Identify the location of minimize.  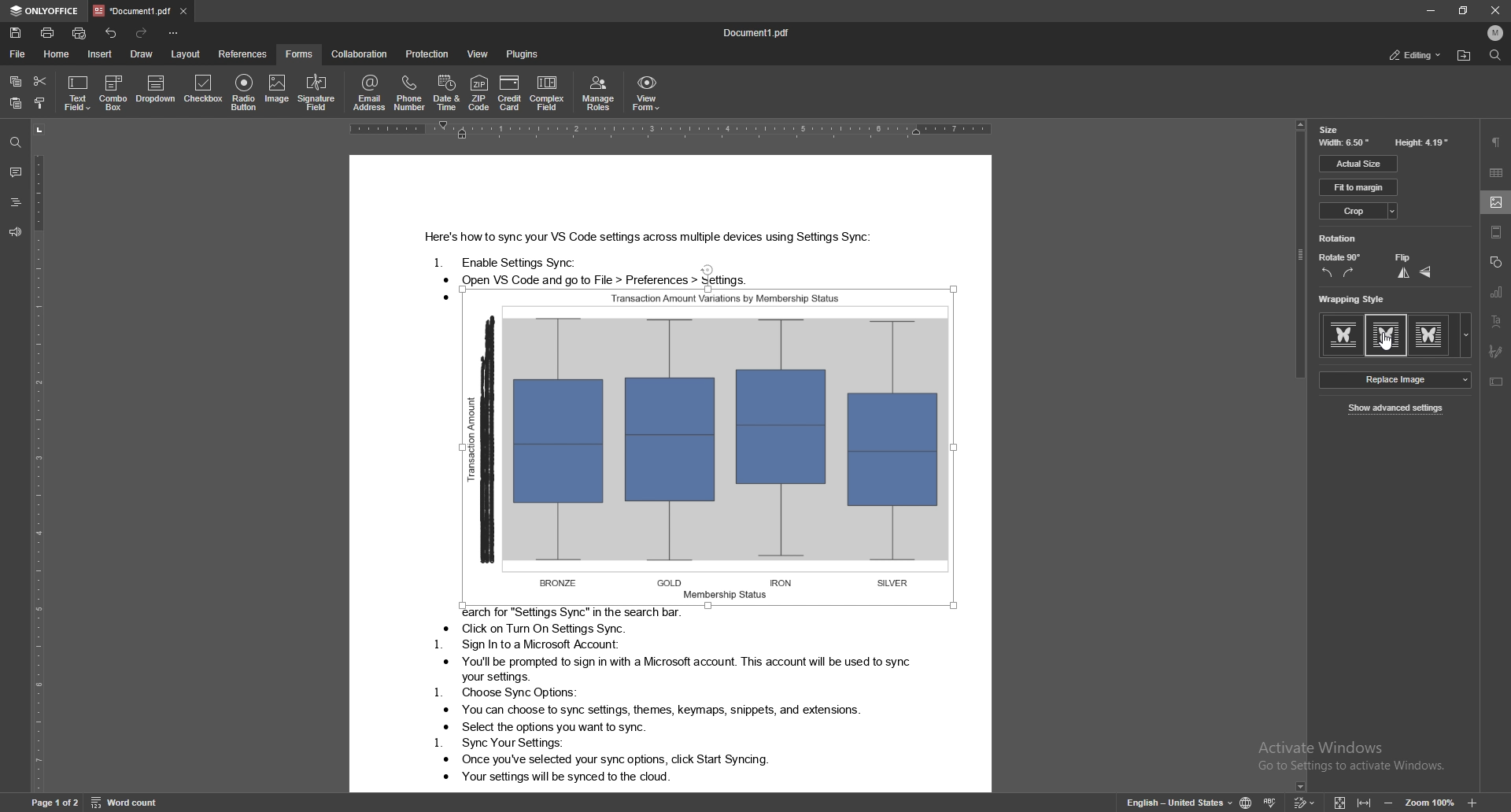
(1432, 10).